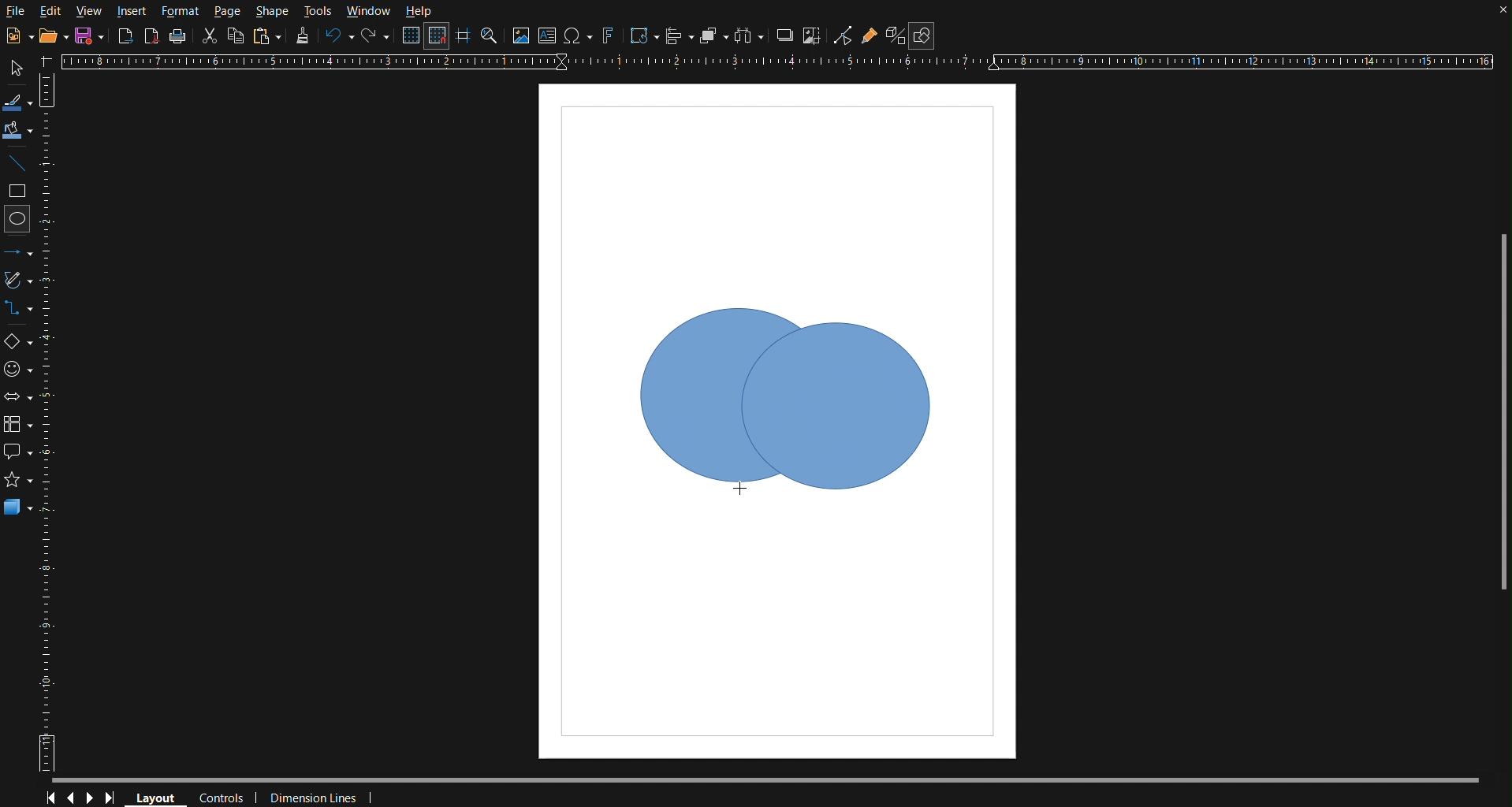  What do you see at coordinates (18, 373) in the screenshot?
I see `Symbol Shapes` at bounding box center [18, 373].